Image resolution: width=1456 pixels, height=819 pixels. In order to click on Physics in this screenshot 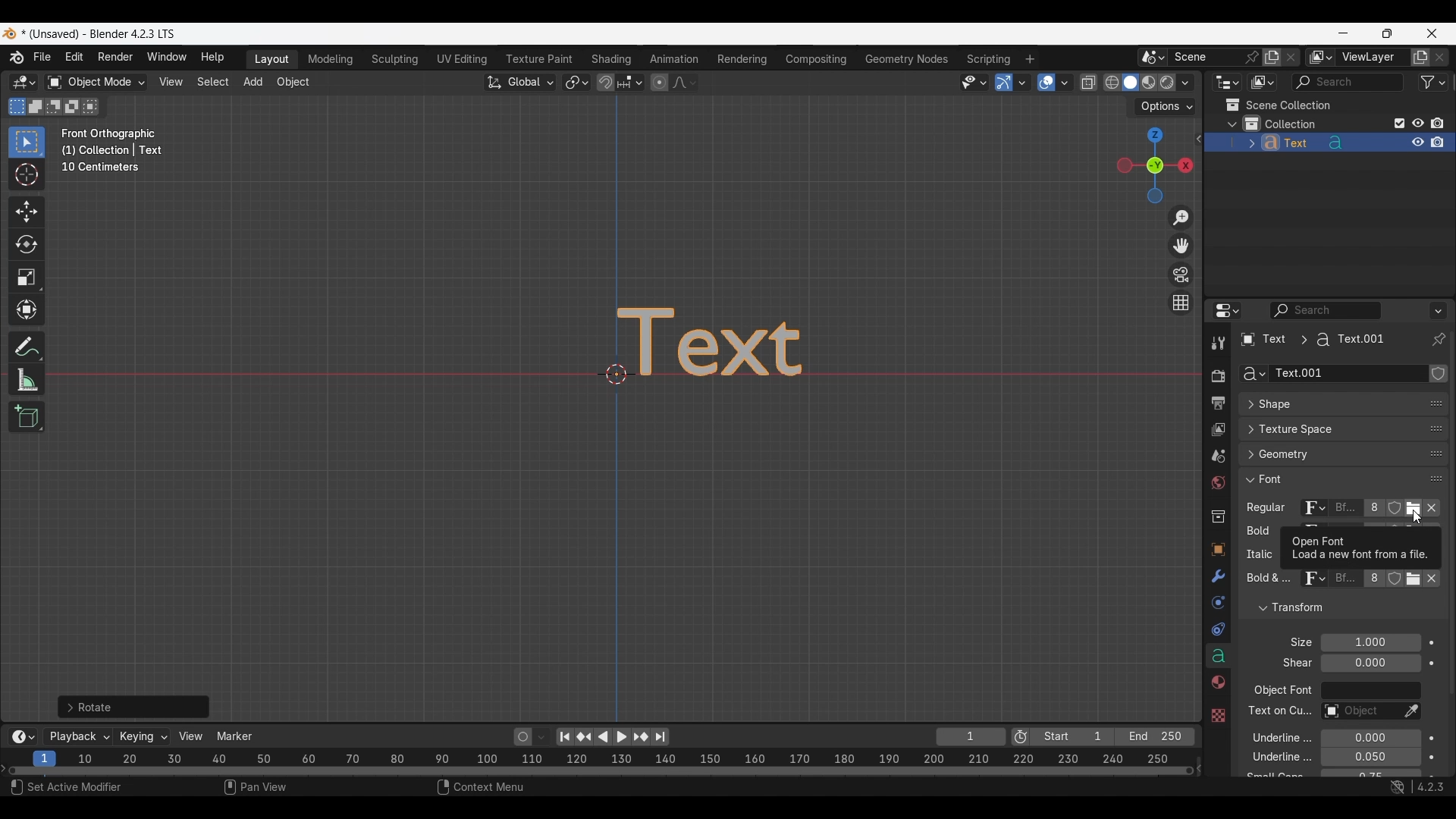, I will do `click(1217, 603)`.